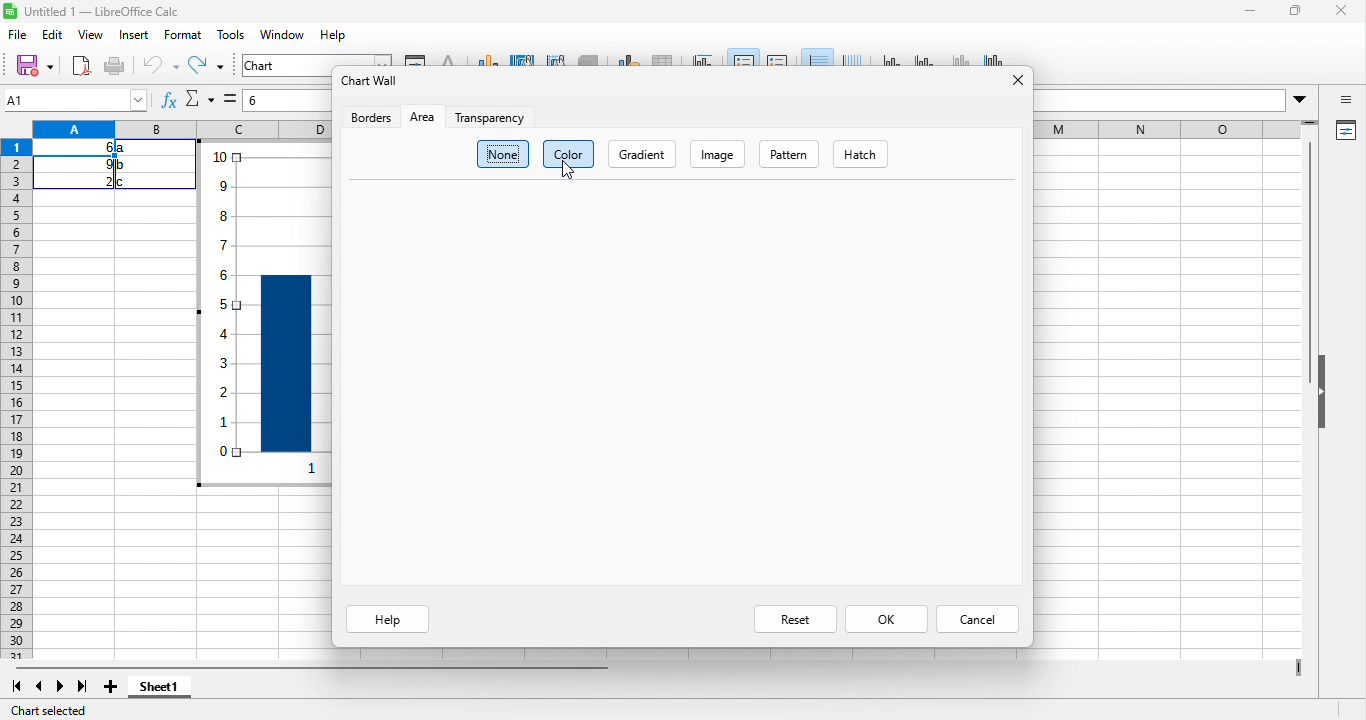 This screenshot has width=1366, height=720. I want to click on insert, so click(135, 35).